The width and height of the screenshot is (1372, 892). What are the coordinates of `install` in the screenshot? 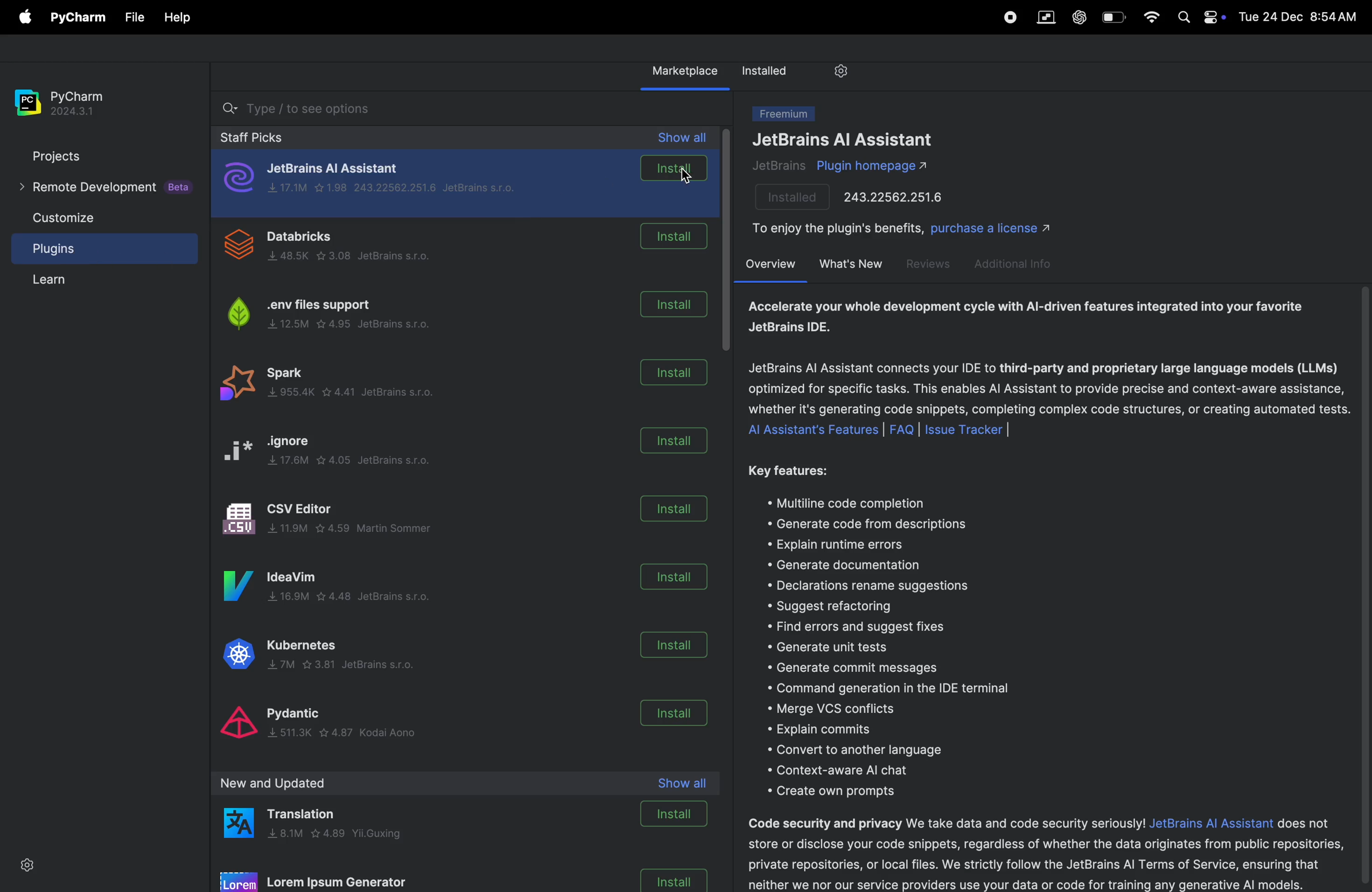 It's located at (673, 169).